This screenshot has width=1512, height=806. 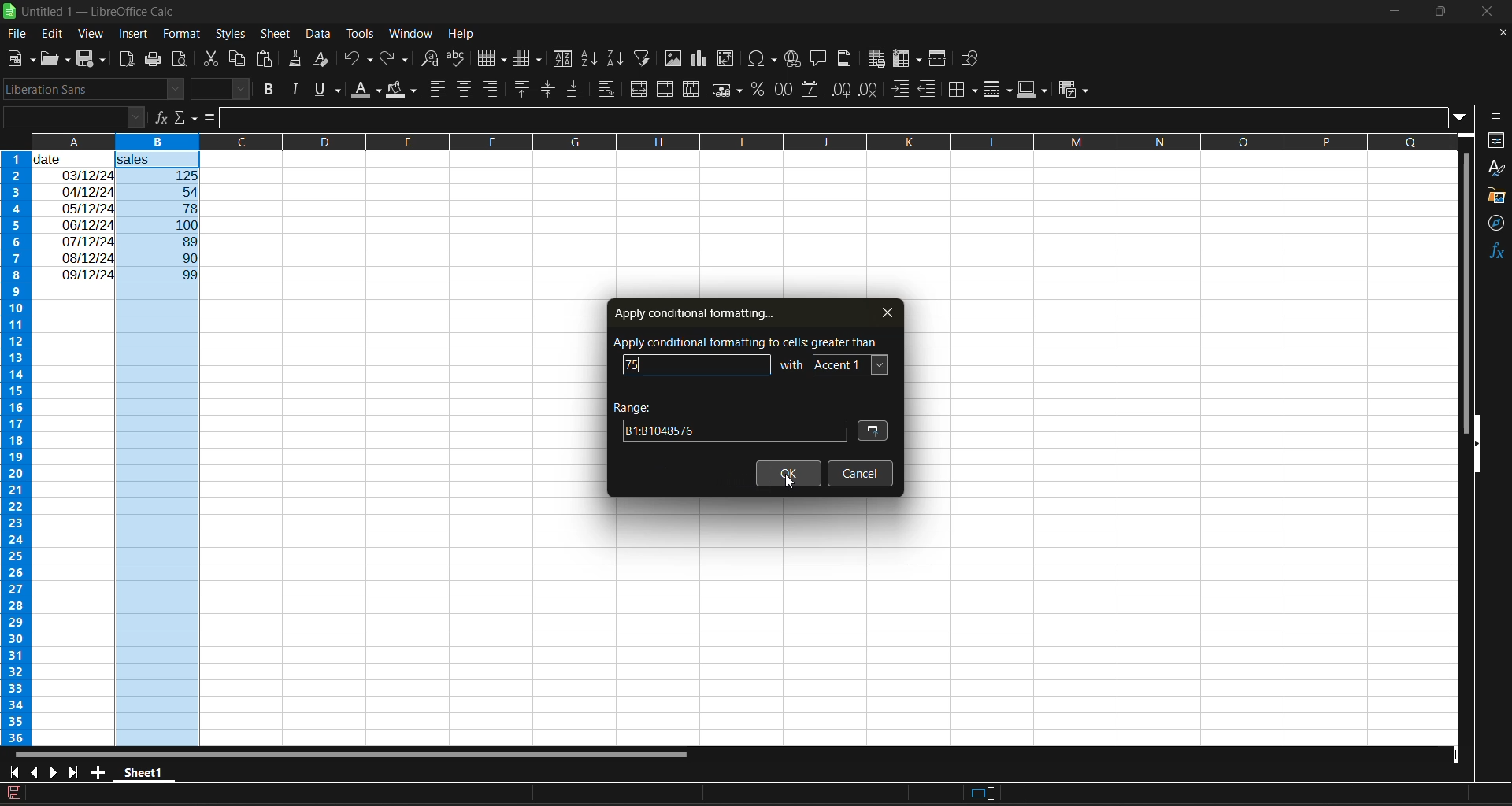 I want to click on copy, so click(x=239, y=58).